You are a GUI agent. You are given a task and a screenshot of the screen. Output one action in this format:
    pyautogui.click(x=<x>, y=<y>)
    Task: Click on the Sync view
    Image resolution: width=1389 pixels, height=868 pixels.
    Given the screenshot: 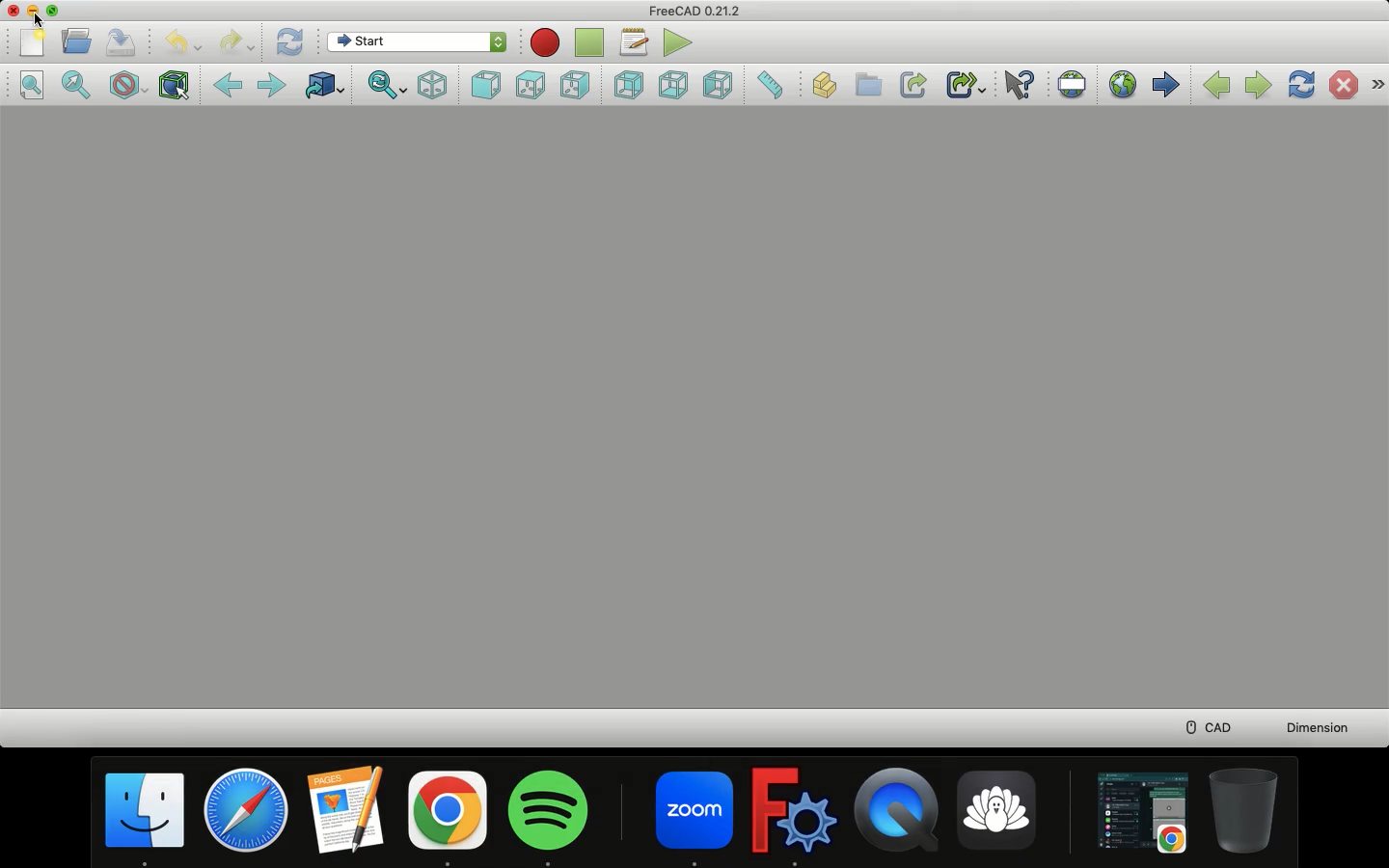 What is the action you would take?
    pyautogui.click(x=390, y=87)
    